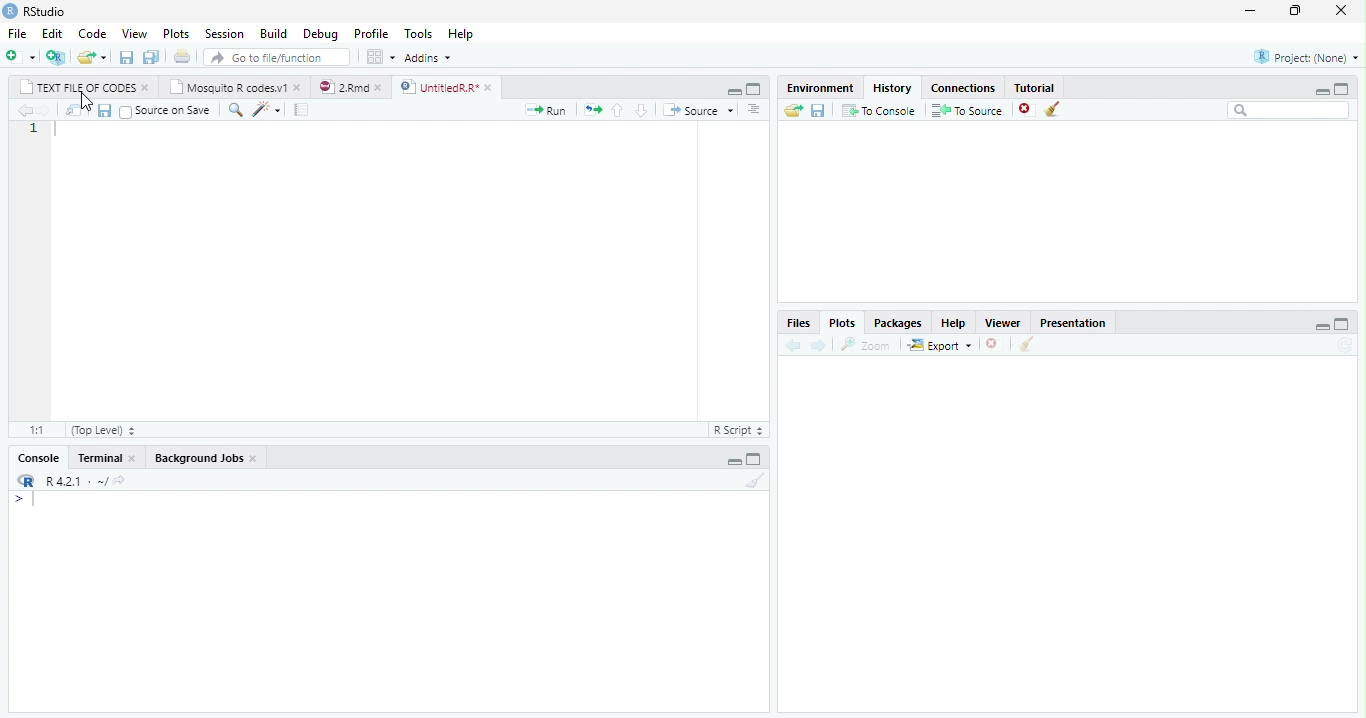 Image resolution: width=1366 pixels, height=718 pixels. Describe the element at coordinates (1029, 345) in the screenshot. I see `clean` at that location.